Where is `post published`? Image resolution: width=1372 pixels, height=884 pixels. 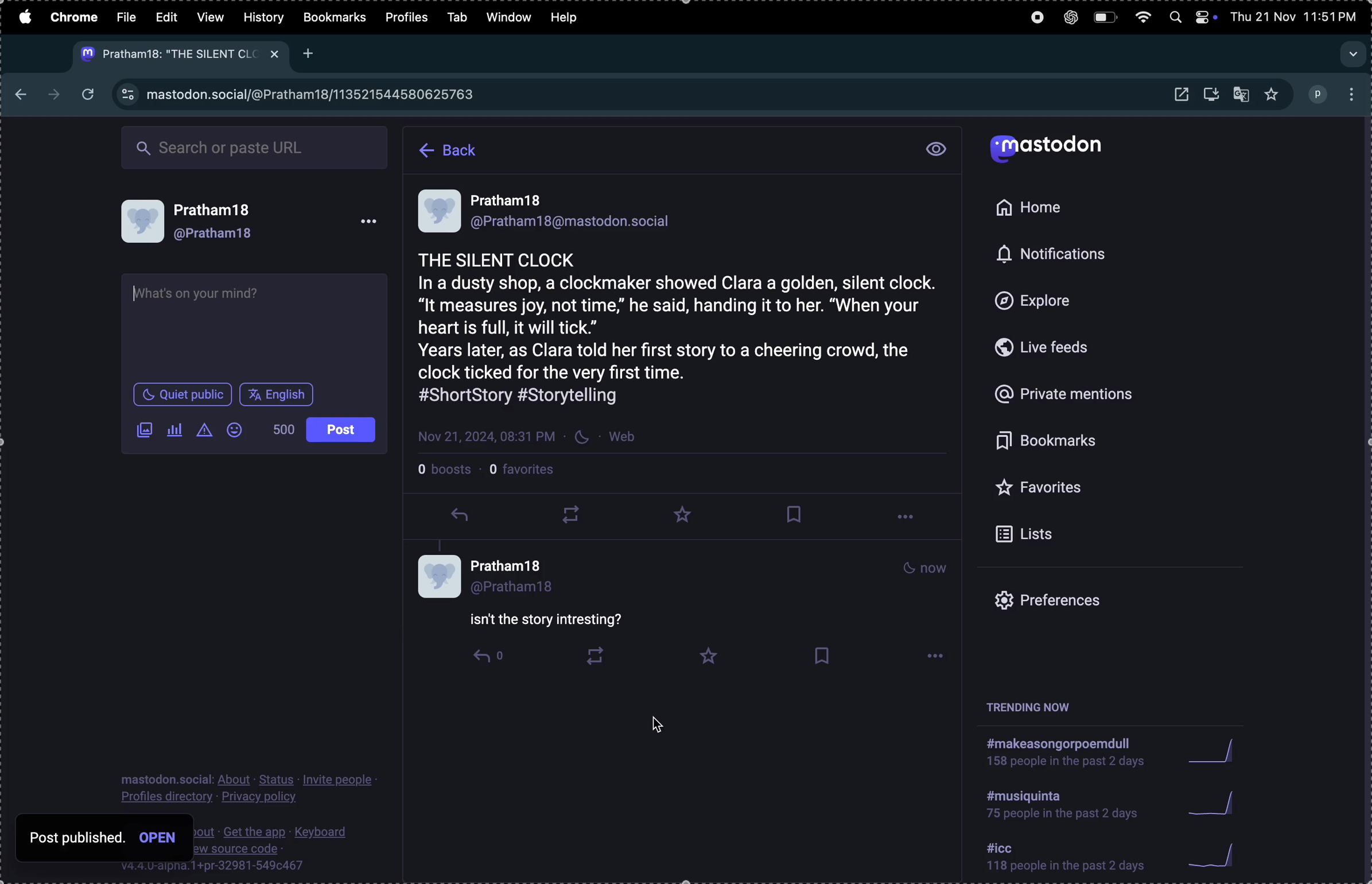
post published is located at coordinates (78, 837).